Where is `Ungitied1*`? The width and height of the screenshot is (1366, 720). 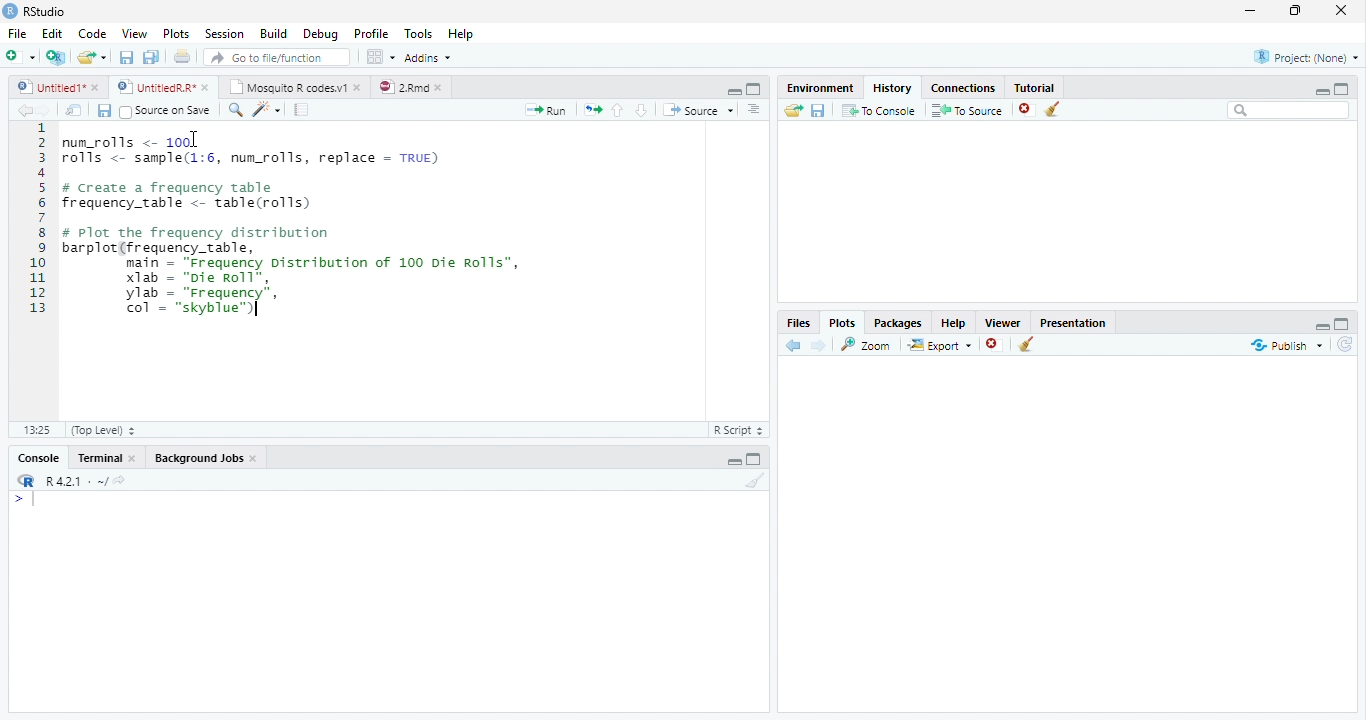
Ungitied1* is located at coordinates (57, 87).